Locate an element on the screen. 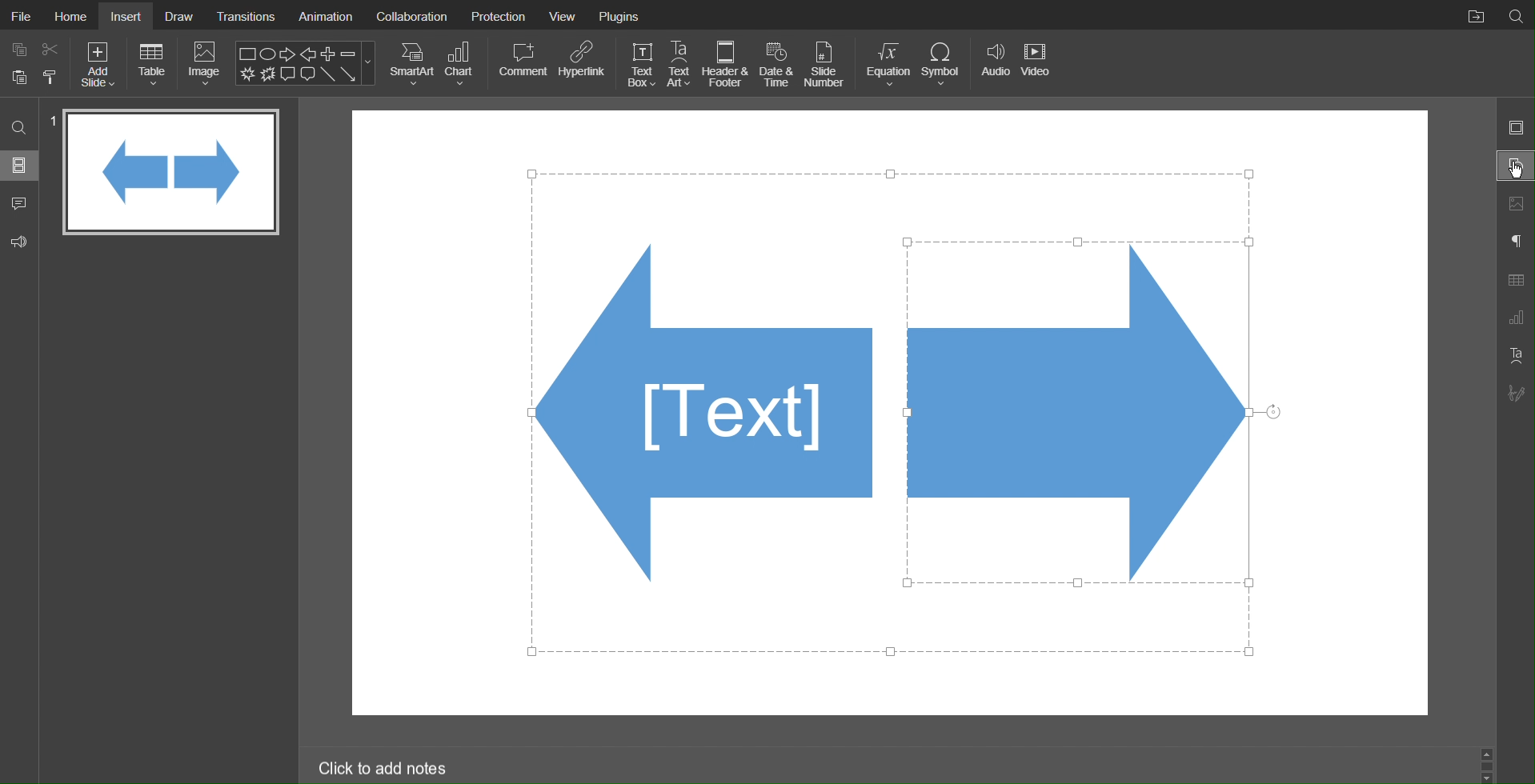 The image size is (1535, 784). Shape Menu is located at coordinates (306, 62).